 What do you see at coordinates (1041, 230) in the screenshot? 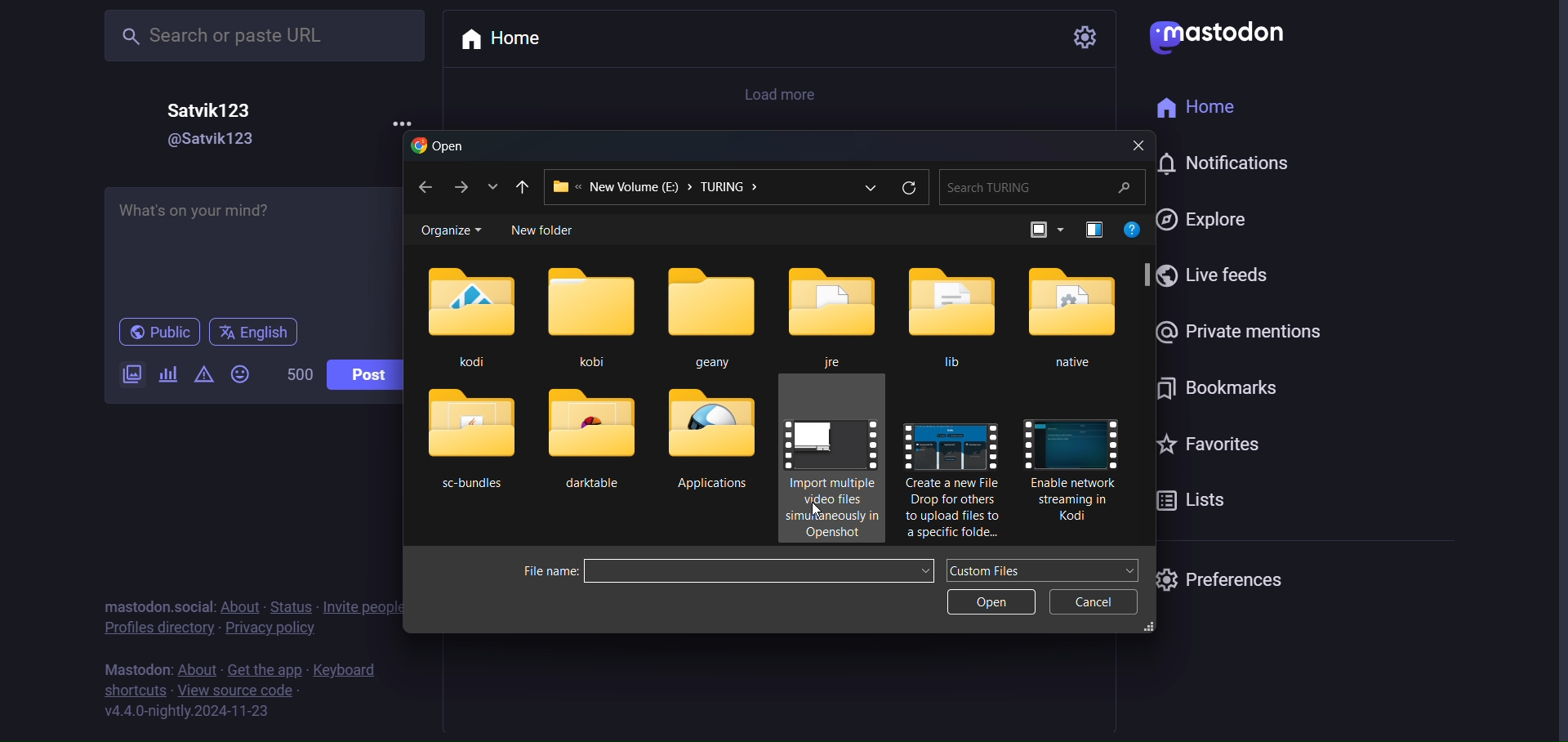
I see `view` at bounding box center [1041, 230].